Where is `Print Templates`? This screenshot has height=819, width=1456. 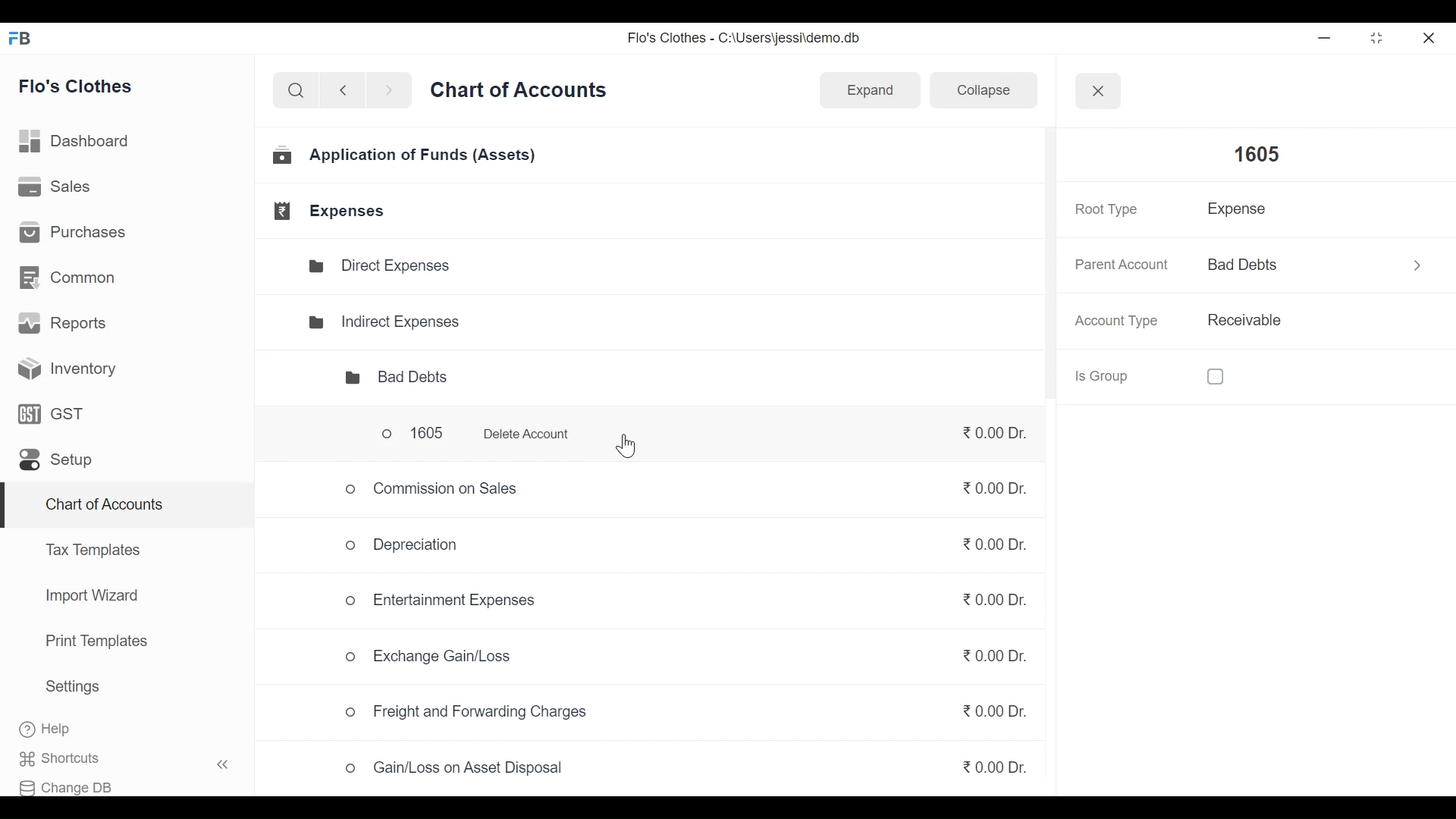
Print Templates is located at coordinates (95, 641).